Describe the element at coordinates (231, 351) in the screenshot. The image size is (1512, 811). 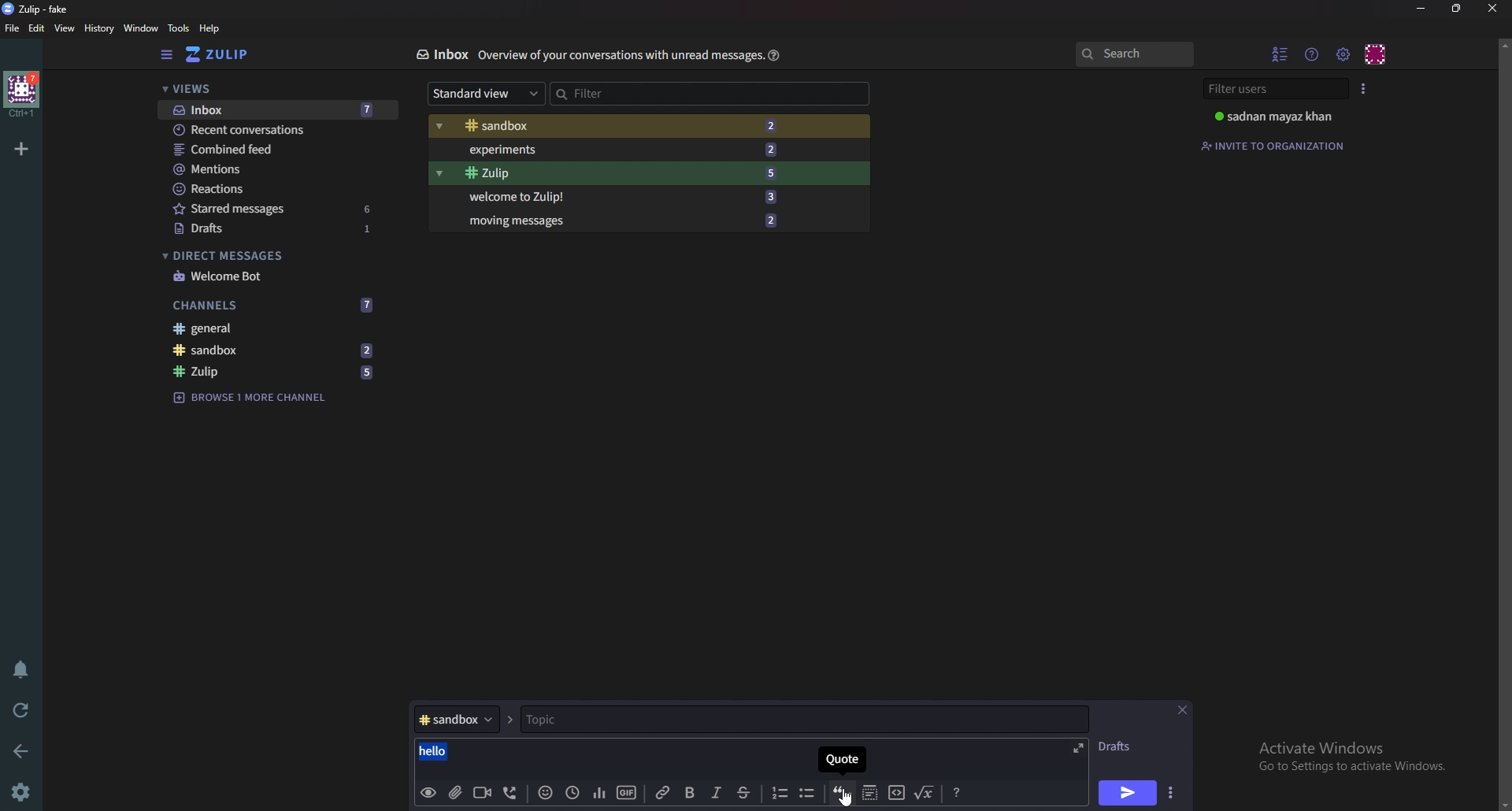
I see `# Sandbox` at that location.